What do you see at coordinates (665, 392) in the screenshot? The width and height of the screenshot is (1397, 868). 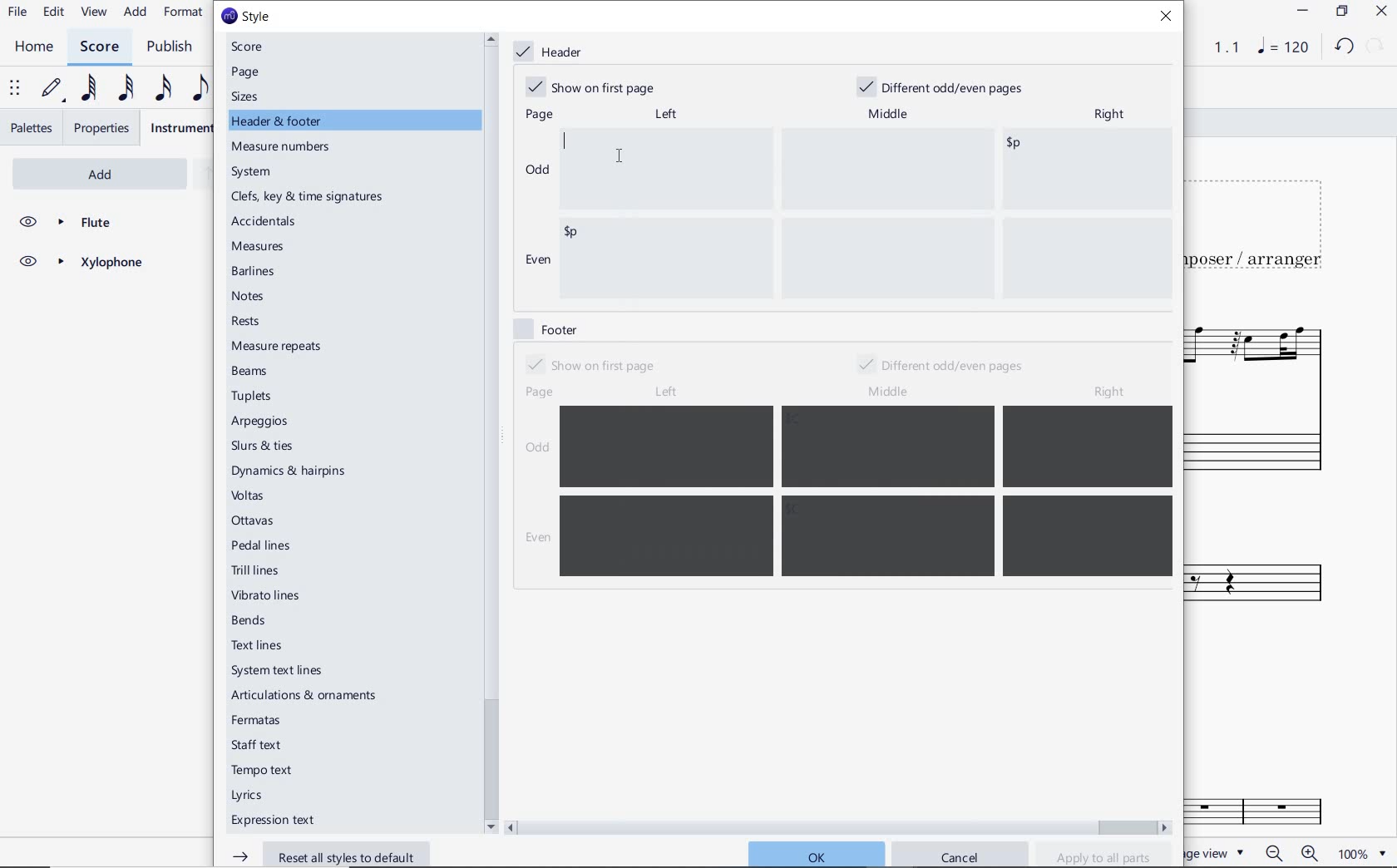 I see `left` at bounding box center [665, 392].